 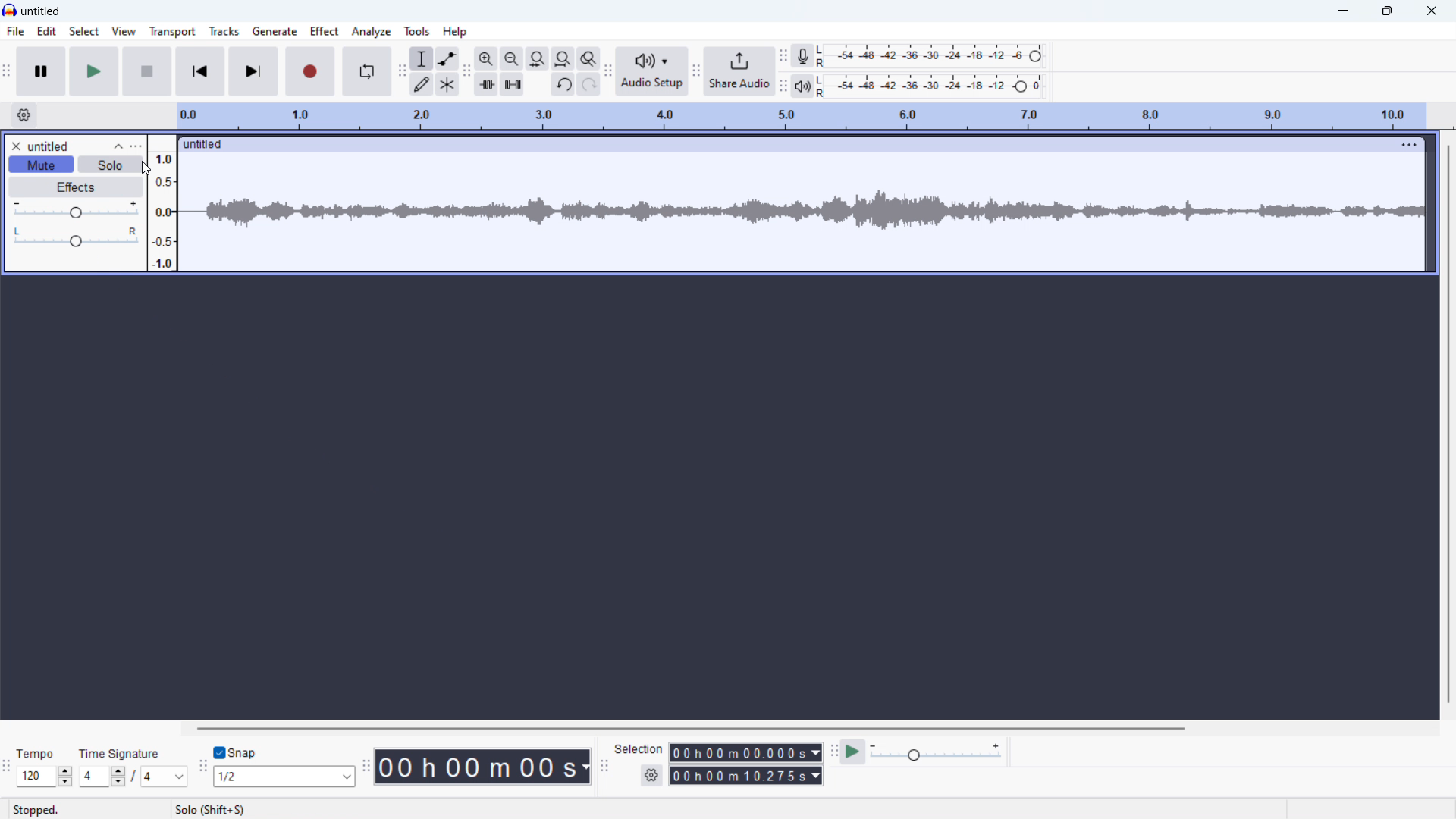 I want to click on toggle snap, so click(x=236, y=752).